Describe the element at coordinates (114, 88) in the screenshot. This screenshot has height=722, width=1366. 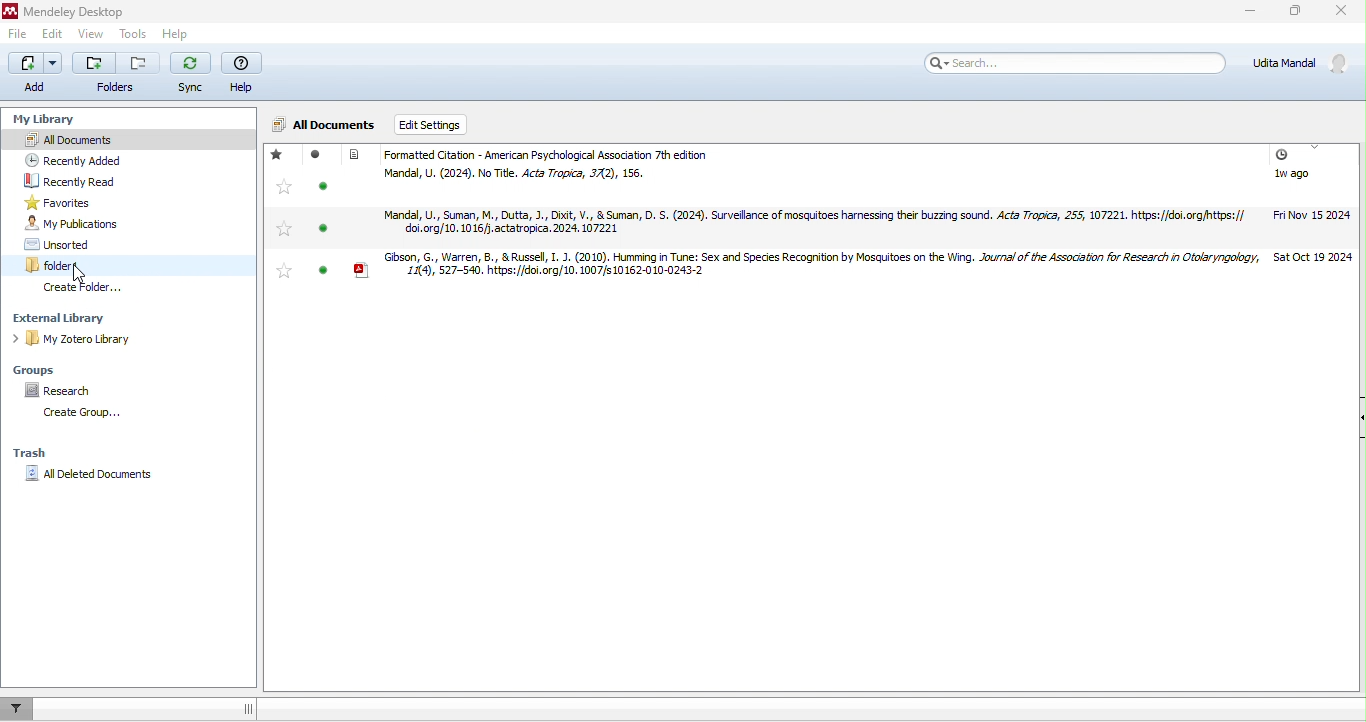
I see `Folders` at that location.